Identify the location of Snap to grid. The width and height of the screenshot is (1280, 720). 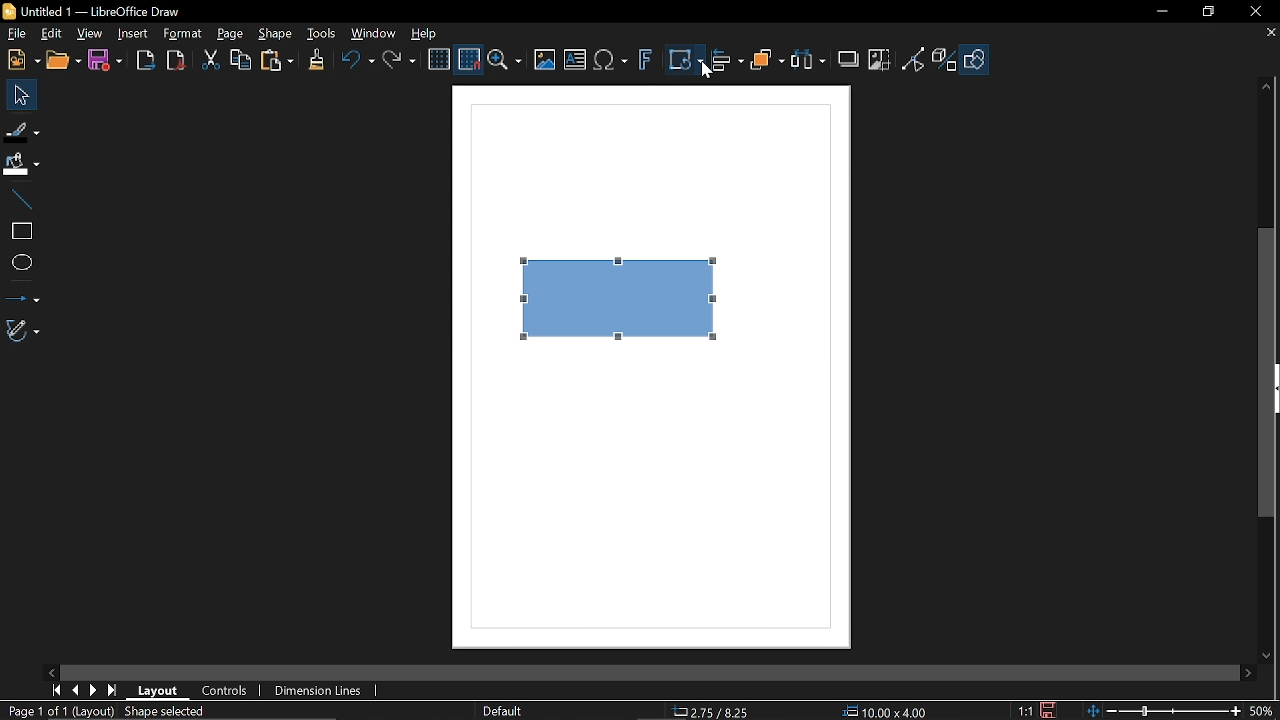
(468, 60).